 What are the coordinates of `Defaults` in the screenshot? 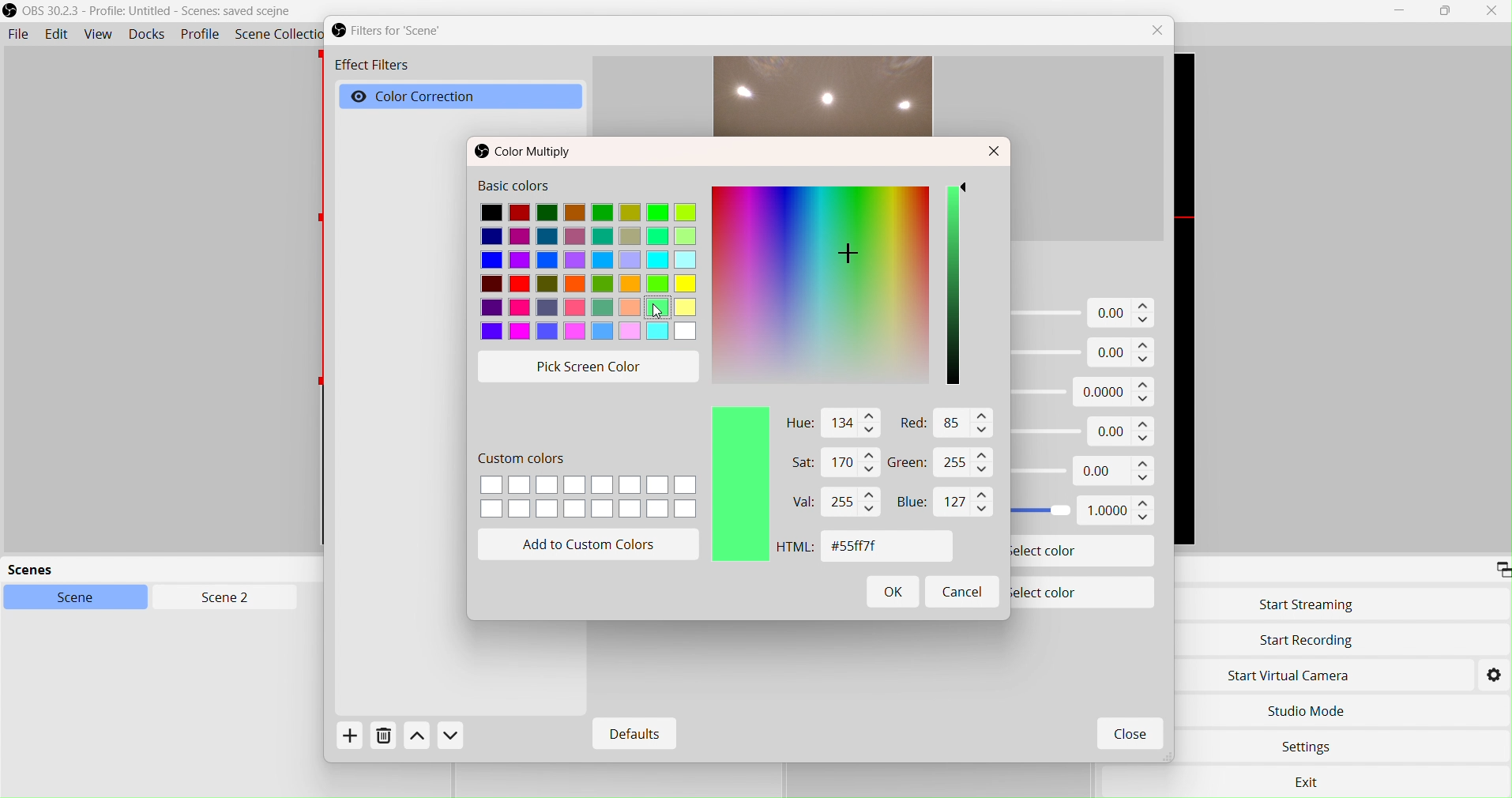 It's located at (630, 735).